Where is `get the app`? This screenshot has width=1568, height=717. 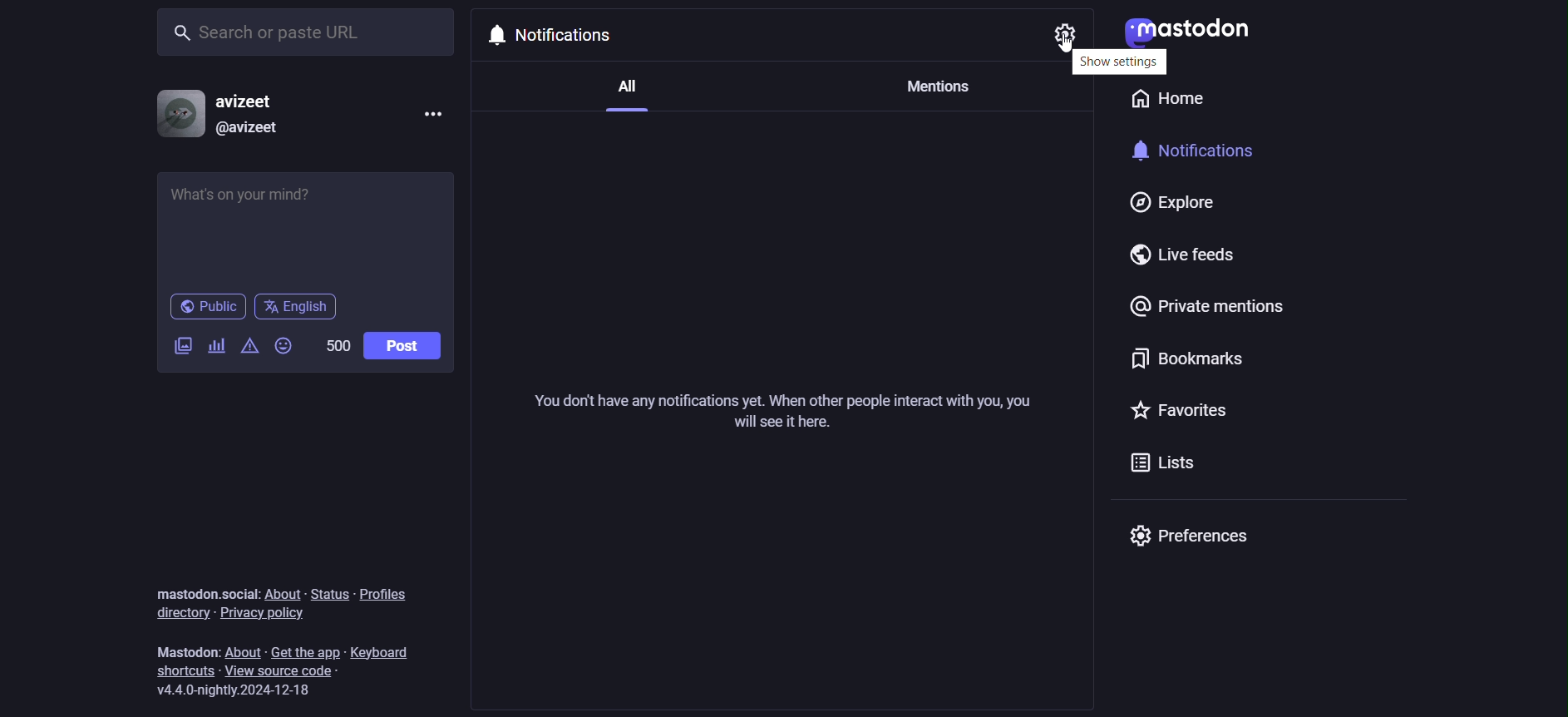
get the app is located at coordinates (307, 651).